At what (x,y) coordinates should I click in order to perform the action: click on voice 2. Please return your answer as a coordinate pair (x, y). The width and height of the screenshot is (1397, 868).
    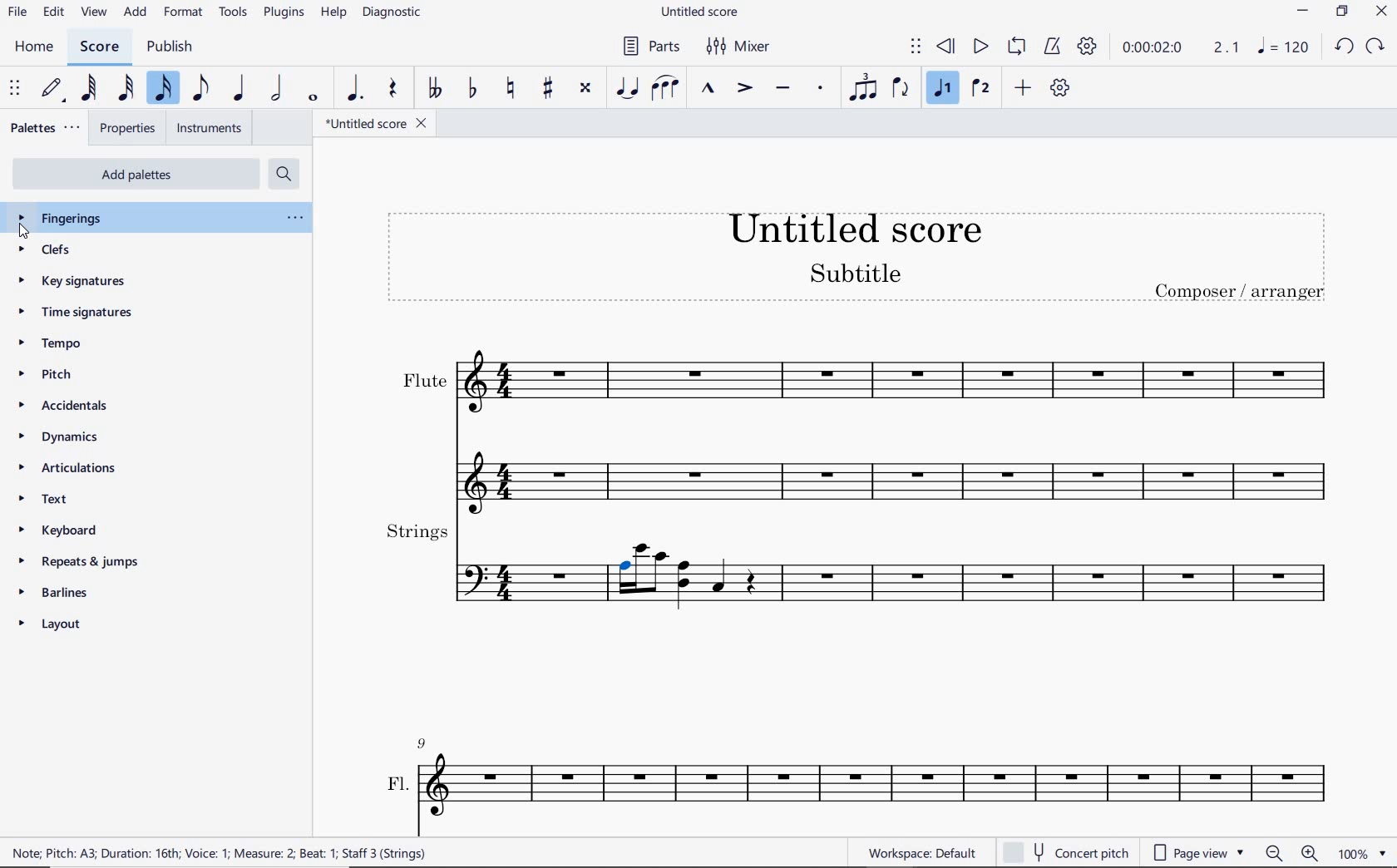
    Looking at the image, I should click on (980, 88).